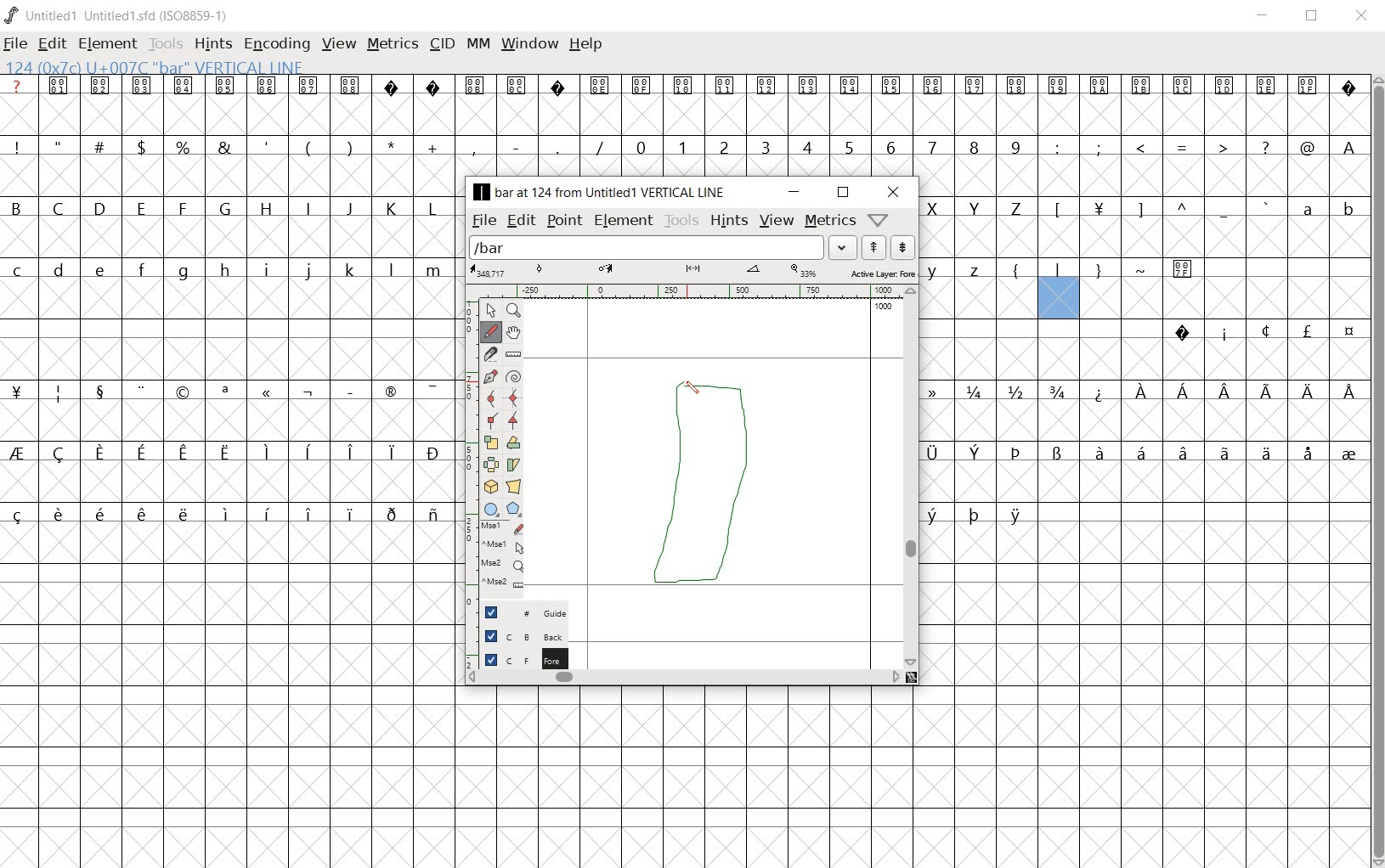 The width and height of the screenshot is (1385, 868). I want to click on guide, so click(517, 613).